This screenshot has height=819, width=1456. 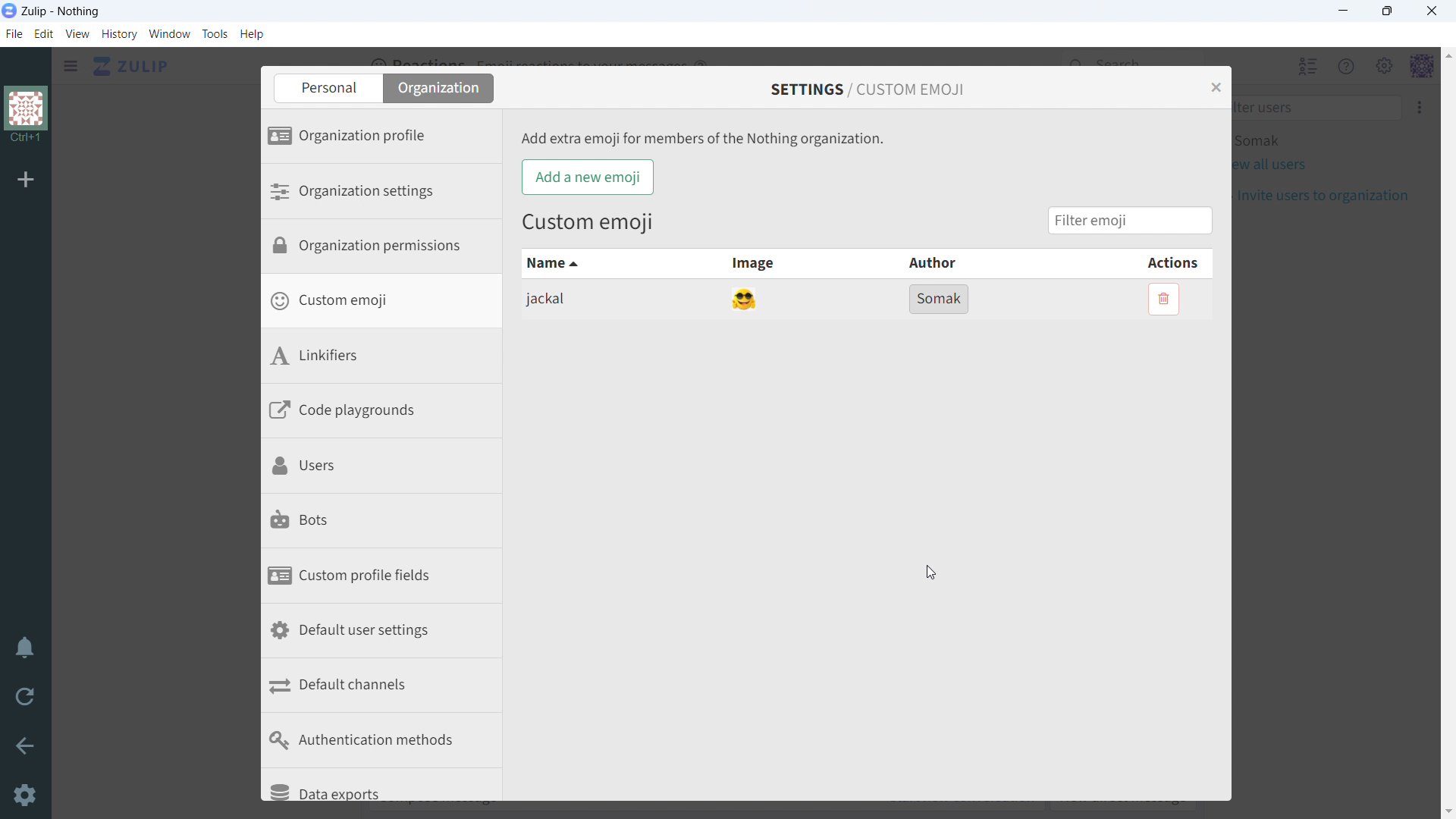 I want to click on main menu, so click(x=1383, y=65).